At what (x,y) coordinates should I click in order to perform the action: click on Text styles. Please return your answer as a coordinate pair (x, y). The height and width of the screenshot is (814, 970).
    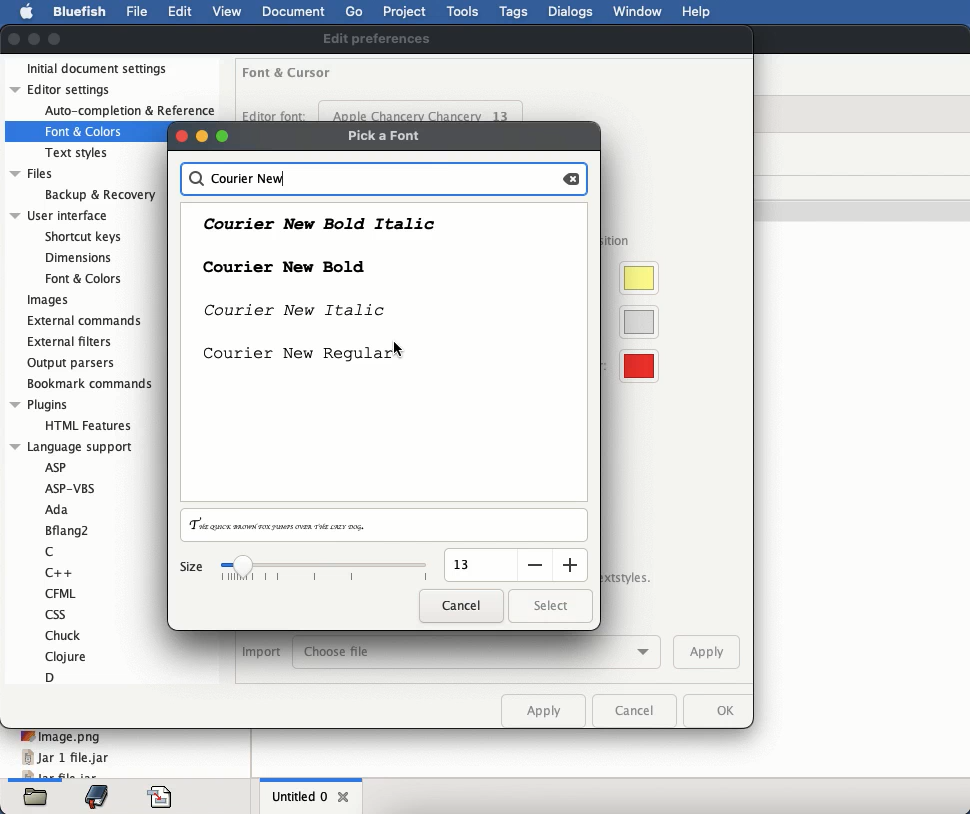
    Looking at the image, I should click on (76, 153).